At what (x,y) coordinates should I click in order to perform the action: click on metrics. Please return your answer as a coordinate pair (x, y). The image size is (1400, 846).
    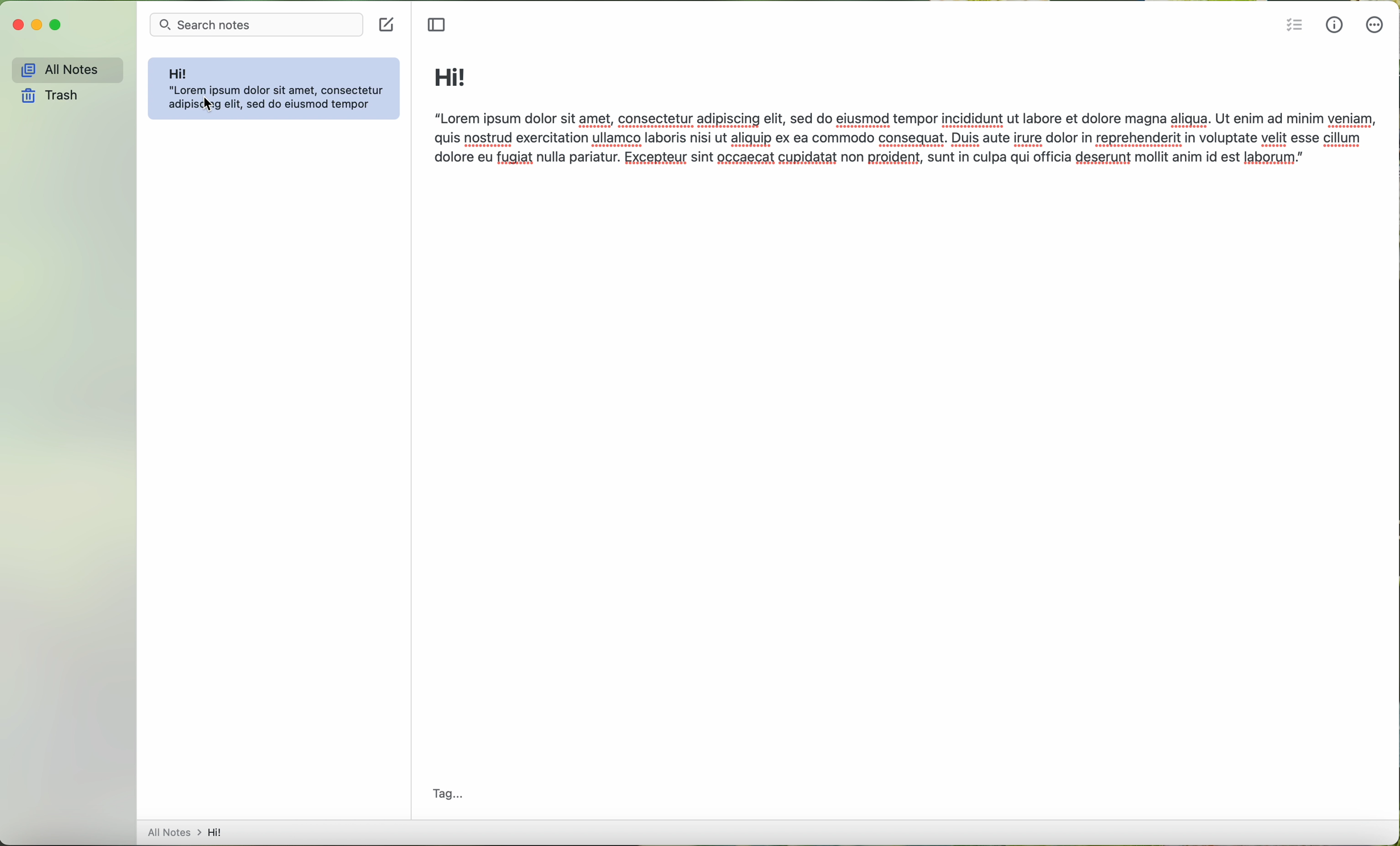
    Looking at the image, I should click on (1335, 24).